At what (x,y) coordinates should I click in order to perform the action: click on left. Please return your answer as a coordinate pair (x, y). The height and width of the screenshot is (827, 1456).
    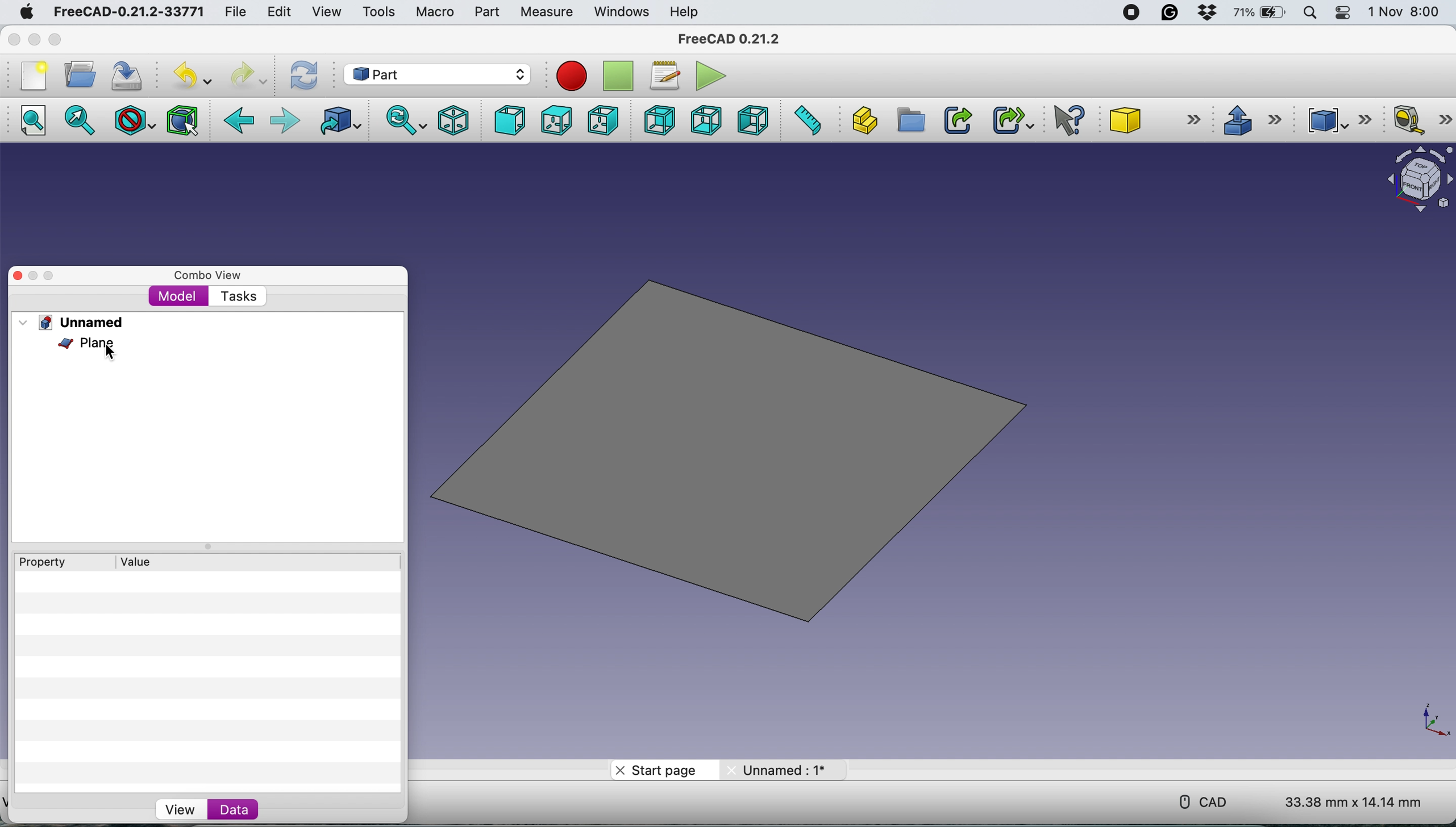
    Looking at the image, I should click on (752, 121).